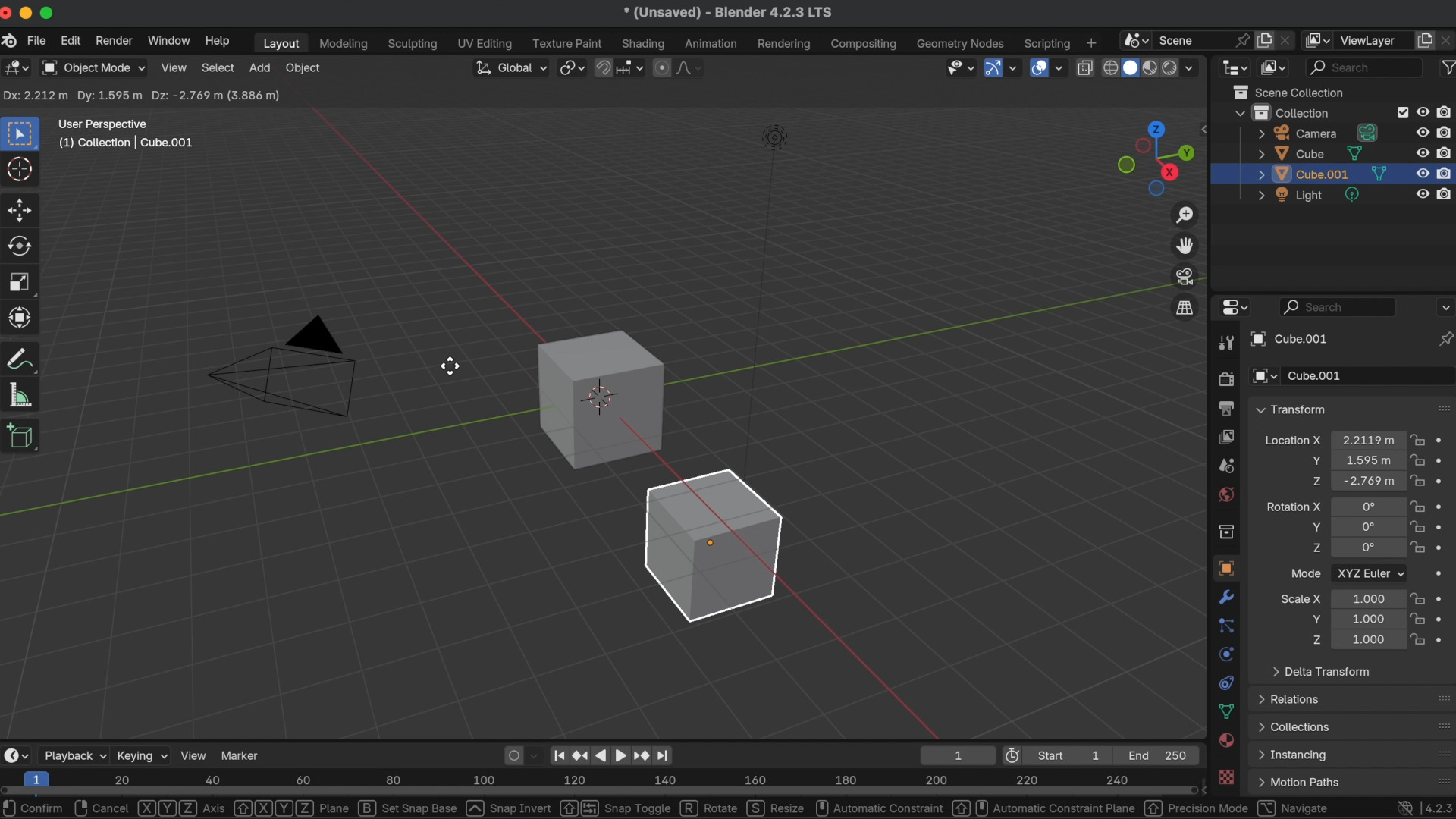 The width and height of the screenshot is (1456, 819). What do you see at coordinates (1224, 344) in the screenshot?
I see `tool` at bounding box center [1224, 344].